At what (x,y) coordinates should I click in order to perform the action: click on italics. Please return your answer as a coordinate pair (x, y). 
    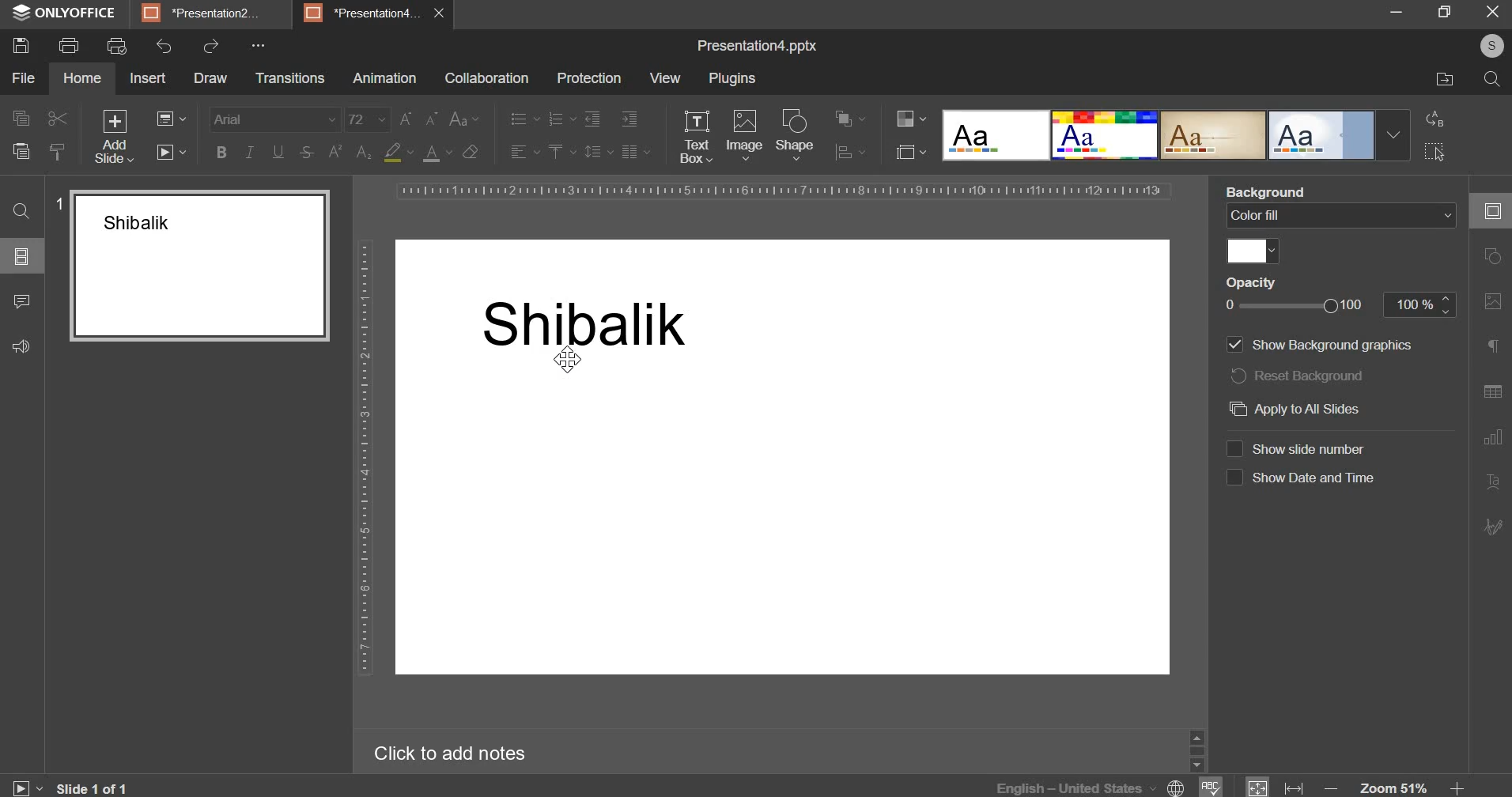
    Looking at the image, I should click on (250, 152).